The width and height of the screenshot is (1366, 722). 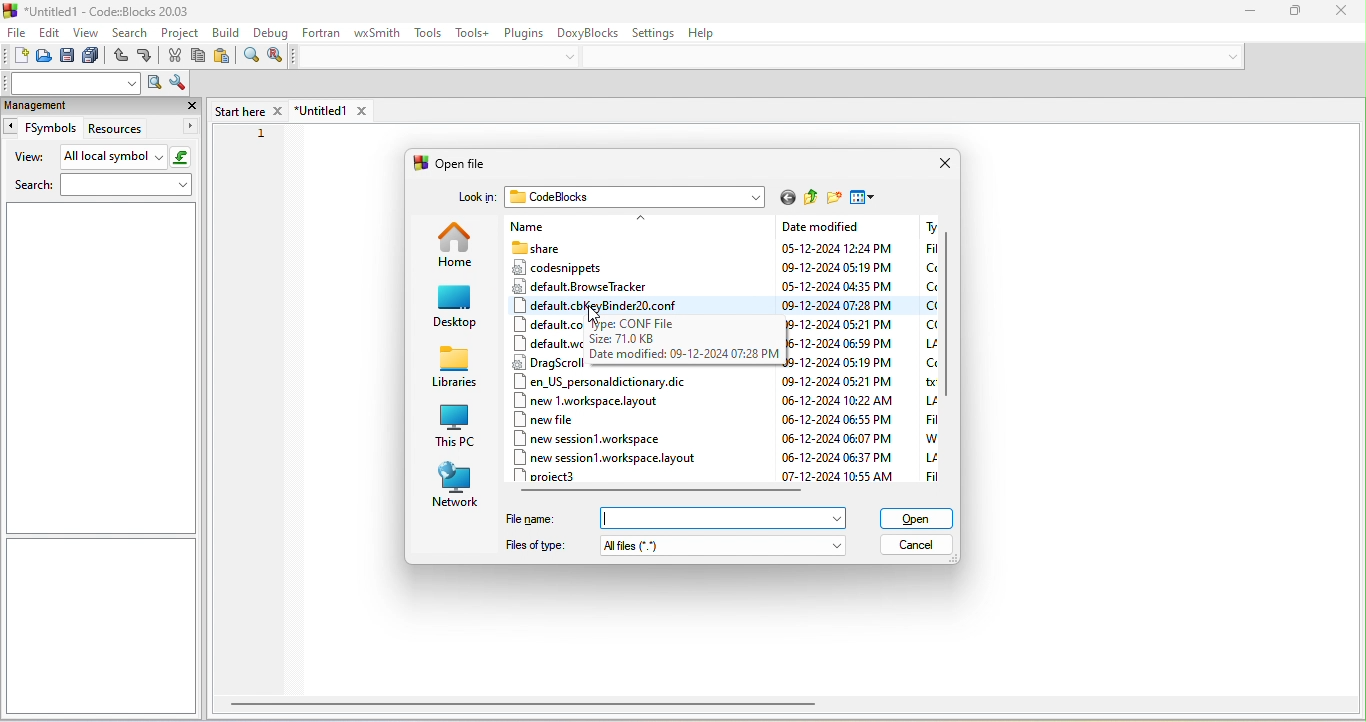 I want to click on date, so click(x=837, y=266).